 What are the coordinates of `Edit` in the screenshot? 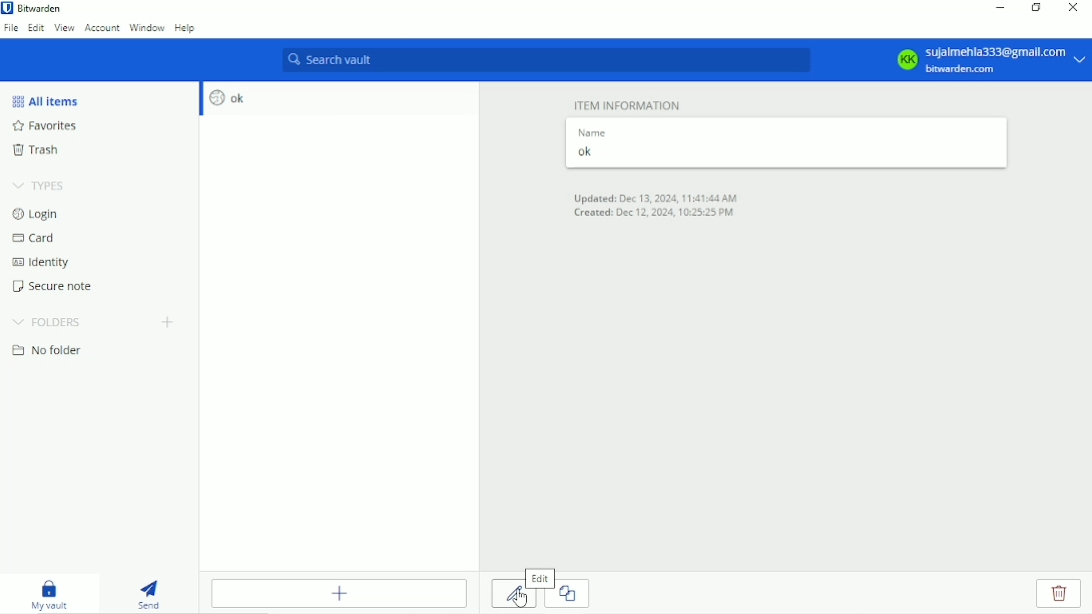 It's located at (509, 593).